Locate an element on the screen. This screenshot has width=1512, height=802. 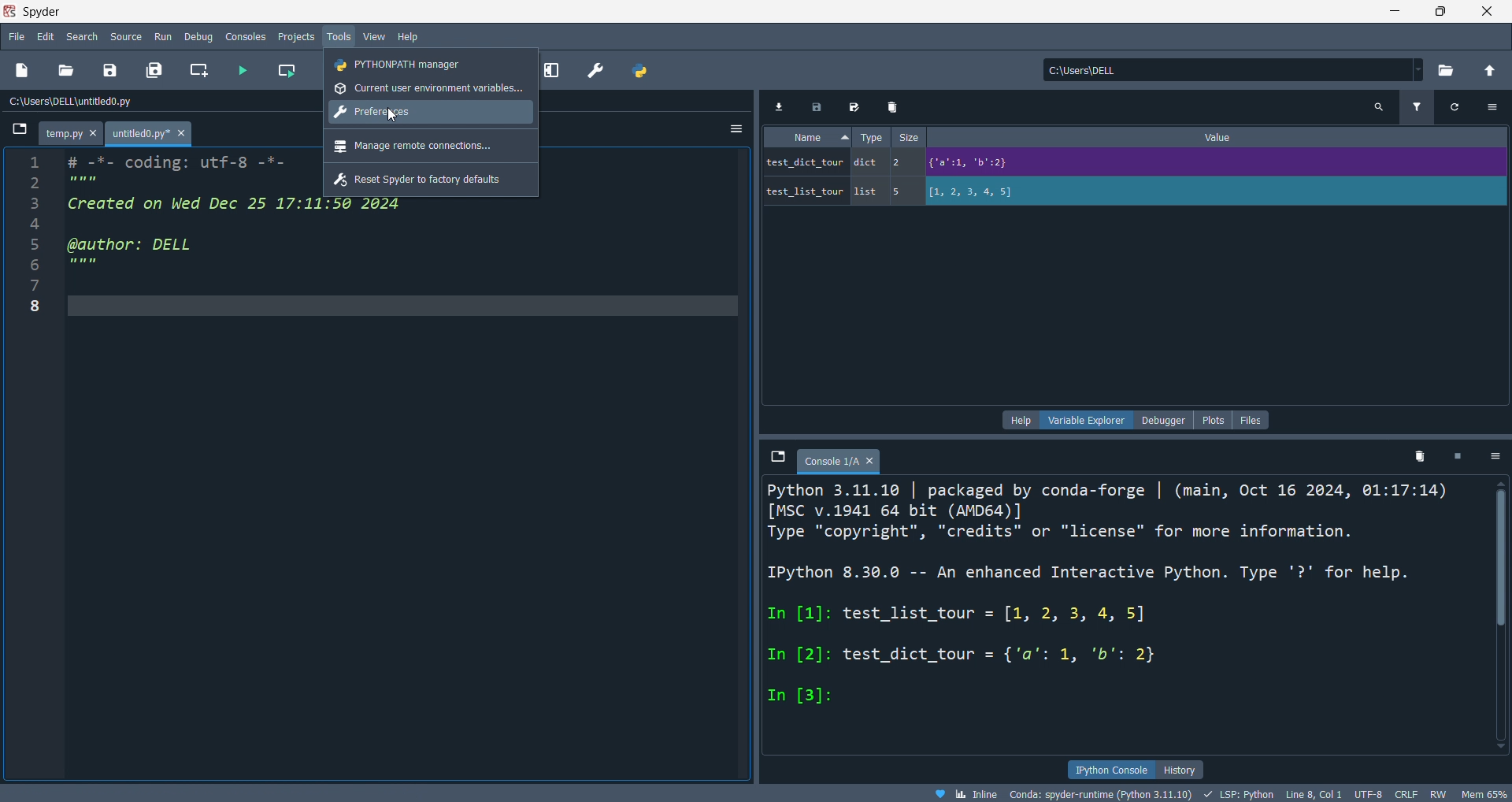
delete variables is located at coordinates (895, 108).